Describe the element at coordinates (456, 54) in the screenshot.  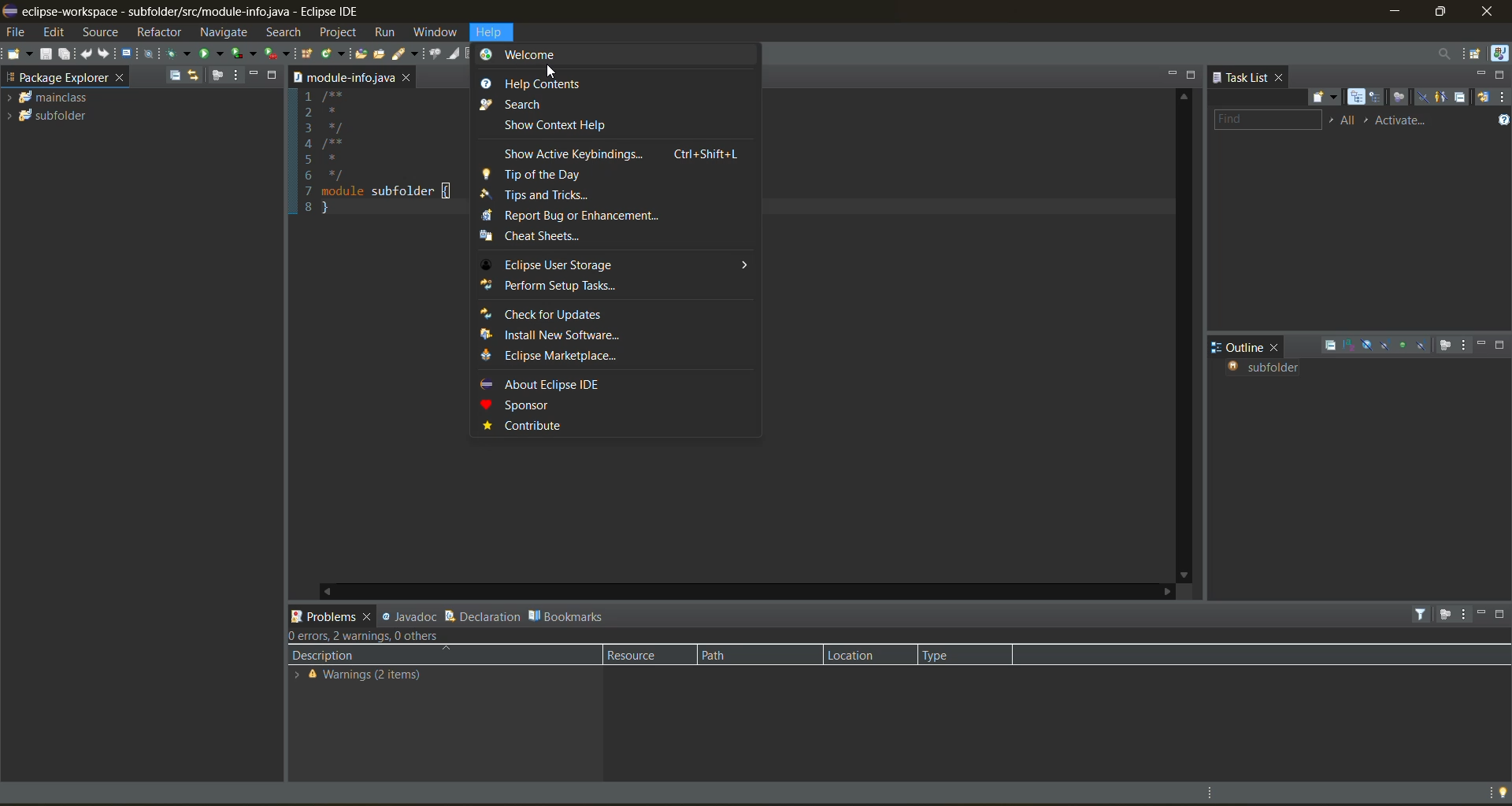
I see `toggle mark occurences` at that location.